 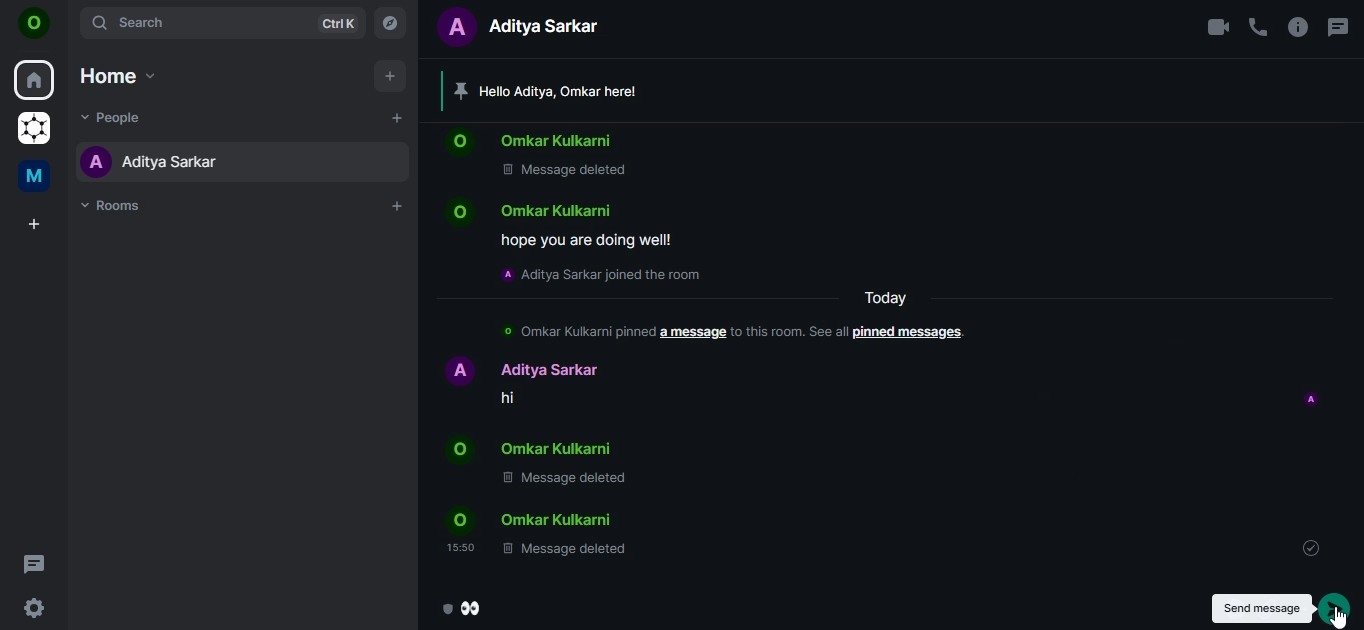 I want to click on video call, so click(x=1216, y=27).